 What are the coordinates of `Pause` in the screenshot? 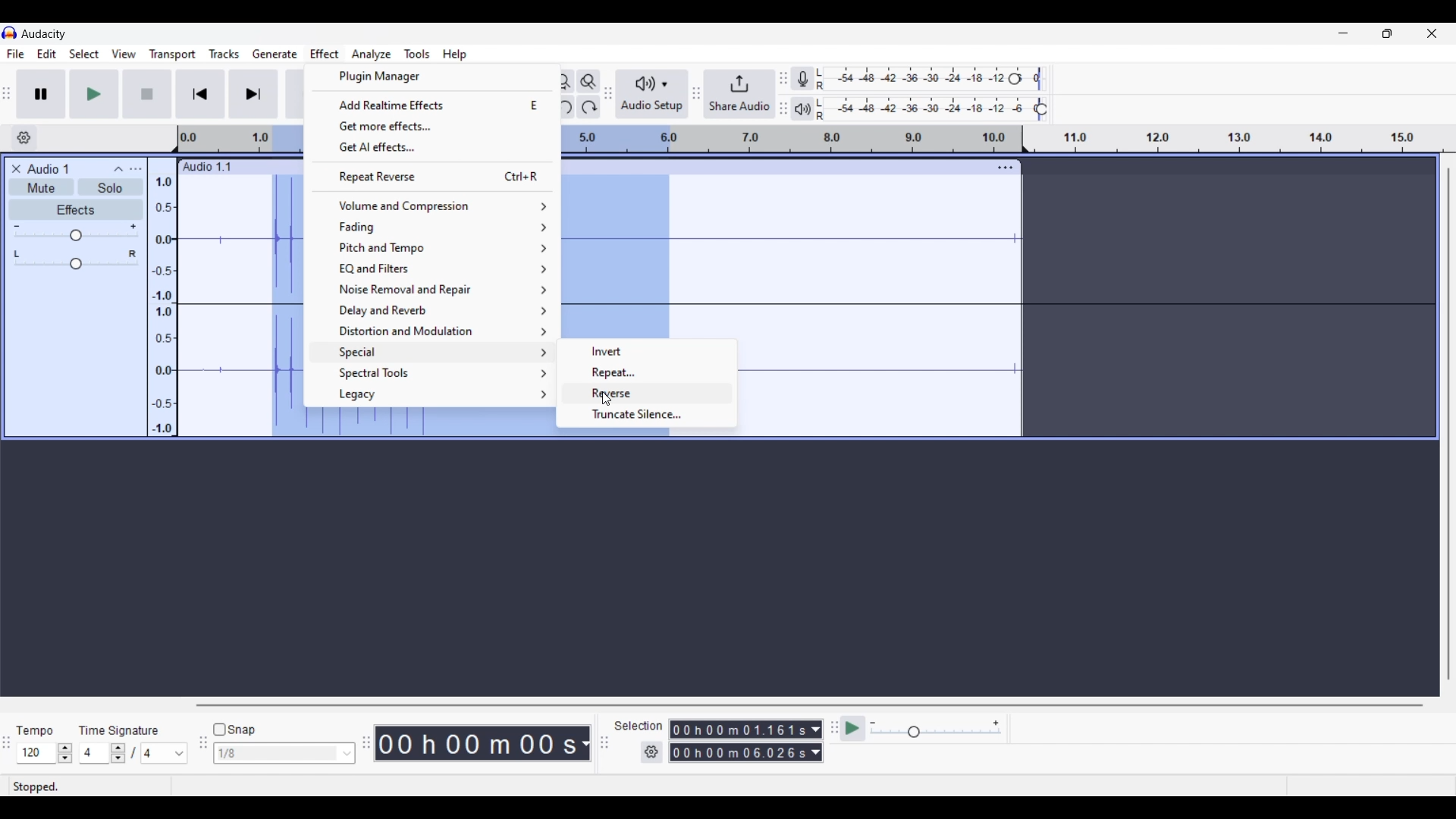 It's located at (42, 94).